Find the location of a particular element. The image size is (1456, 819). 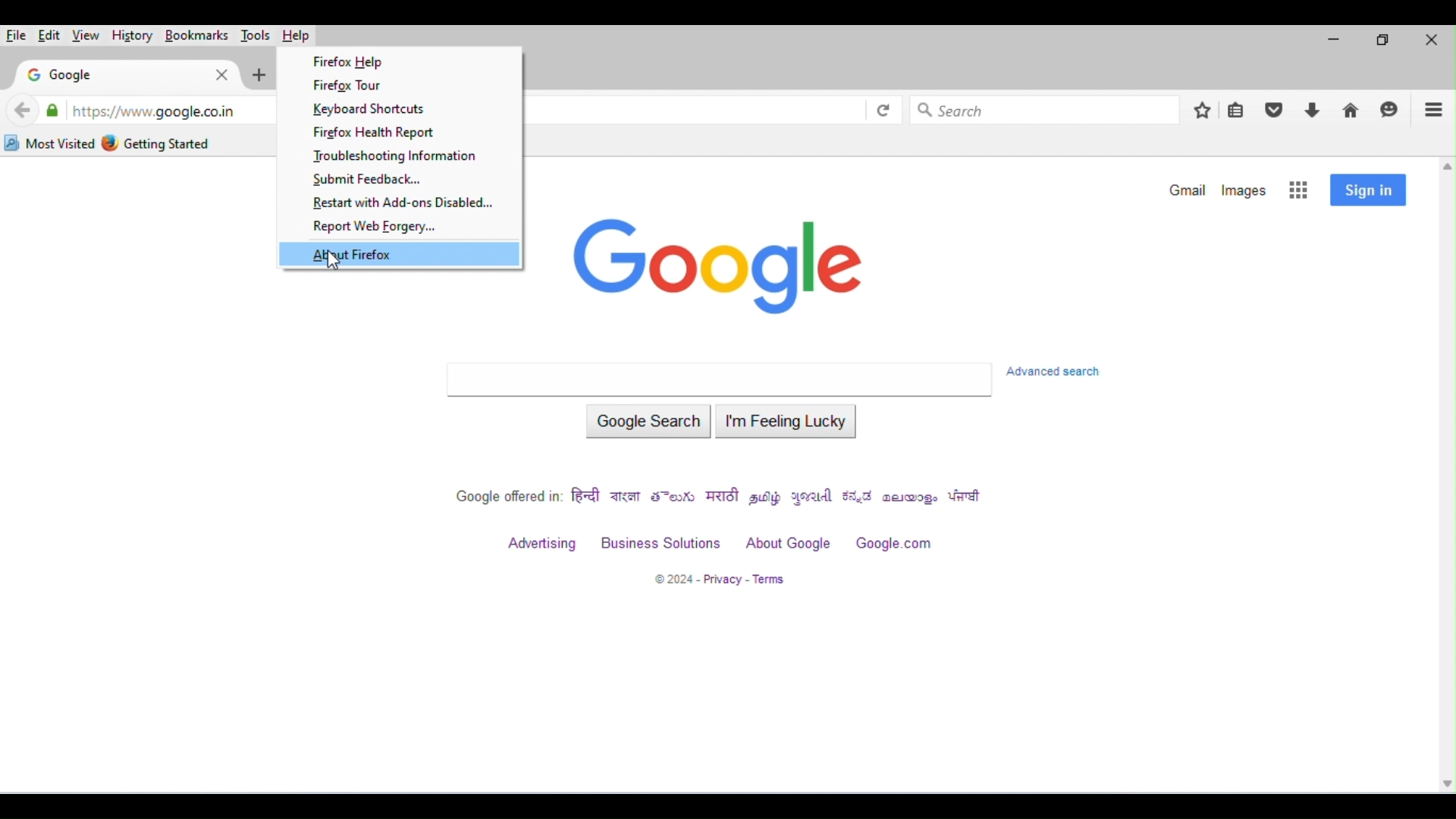

most visited is located at coordinates (50, 143).